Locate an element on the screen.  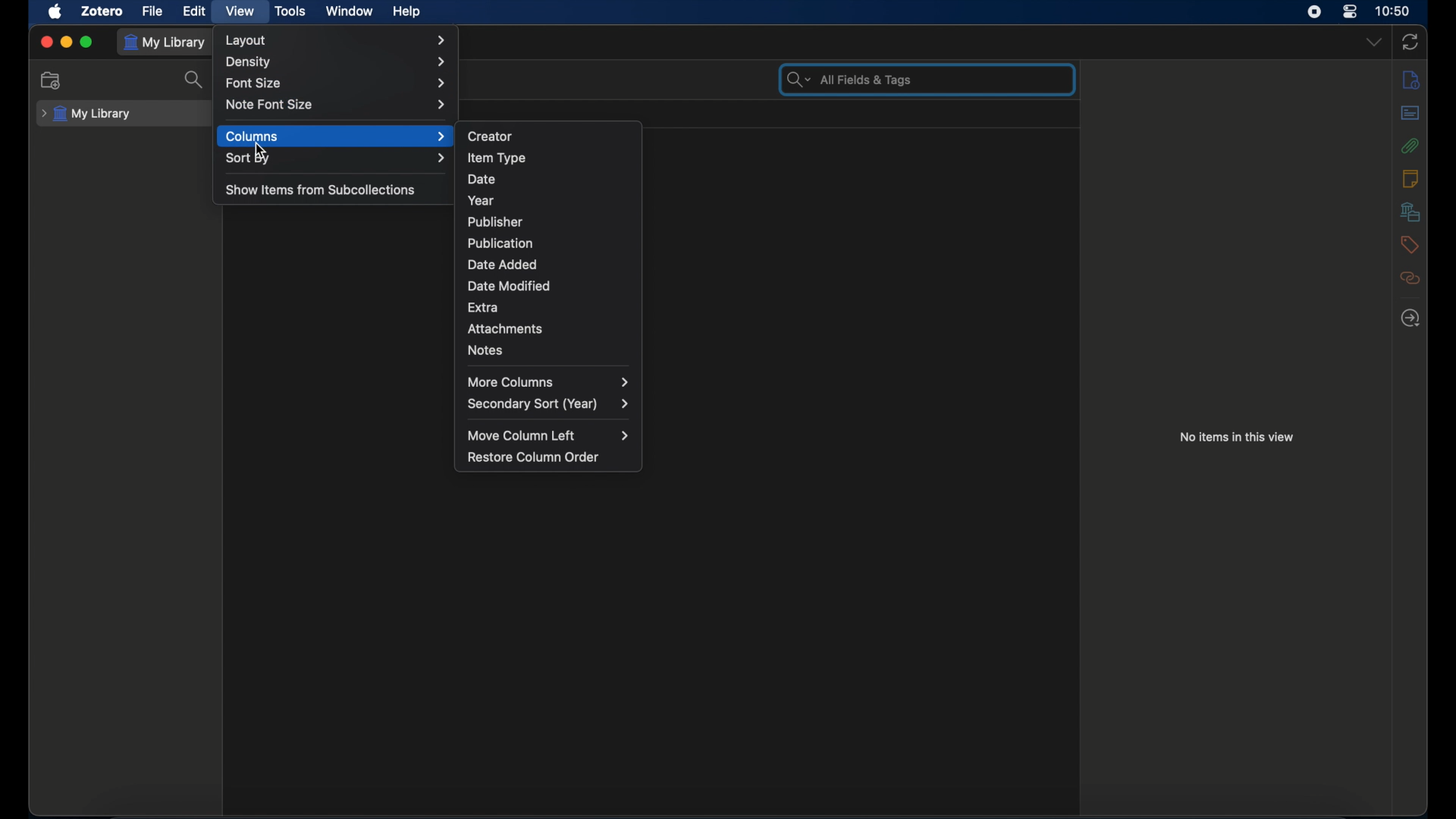
secondary sort is located at coordinates (548, 405).